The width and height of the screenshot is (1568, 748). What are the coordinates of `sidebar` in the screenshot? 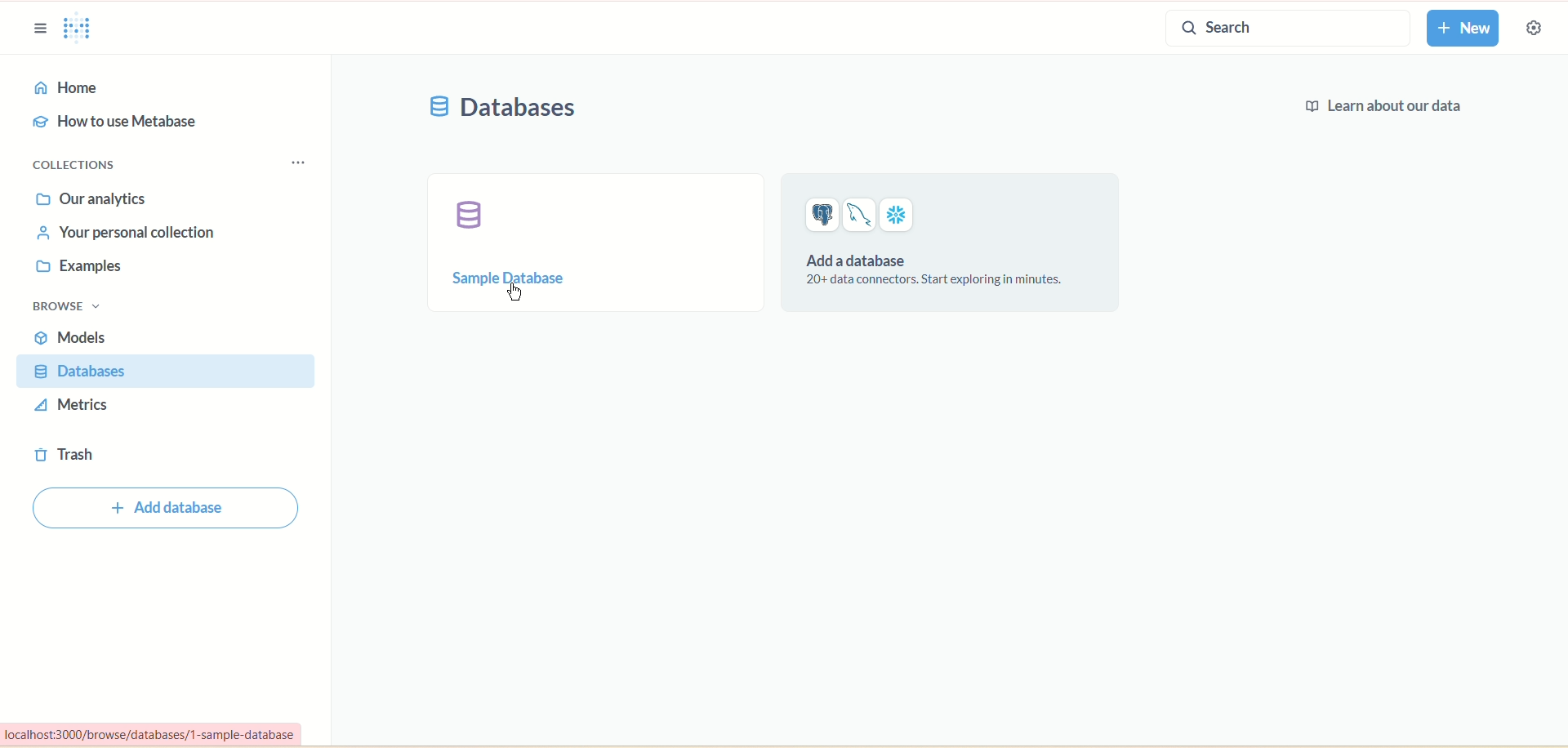 It's located at (38, 27).